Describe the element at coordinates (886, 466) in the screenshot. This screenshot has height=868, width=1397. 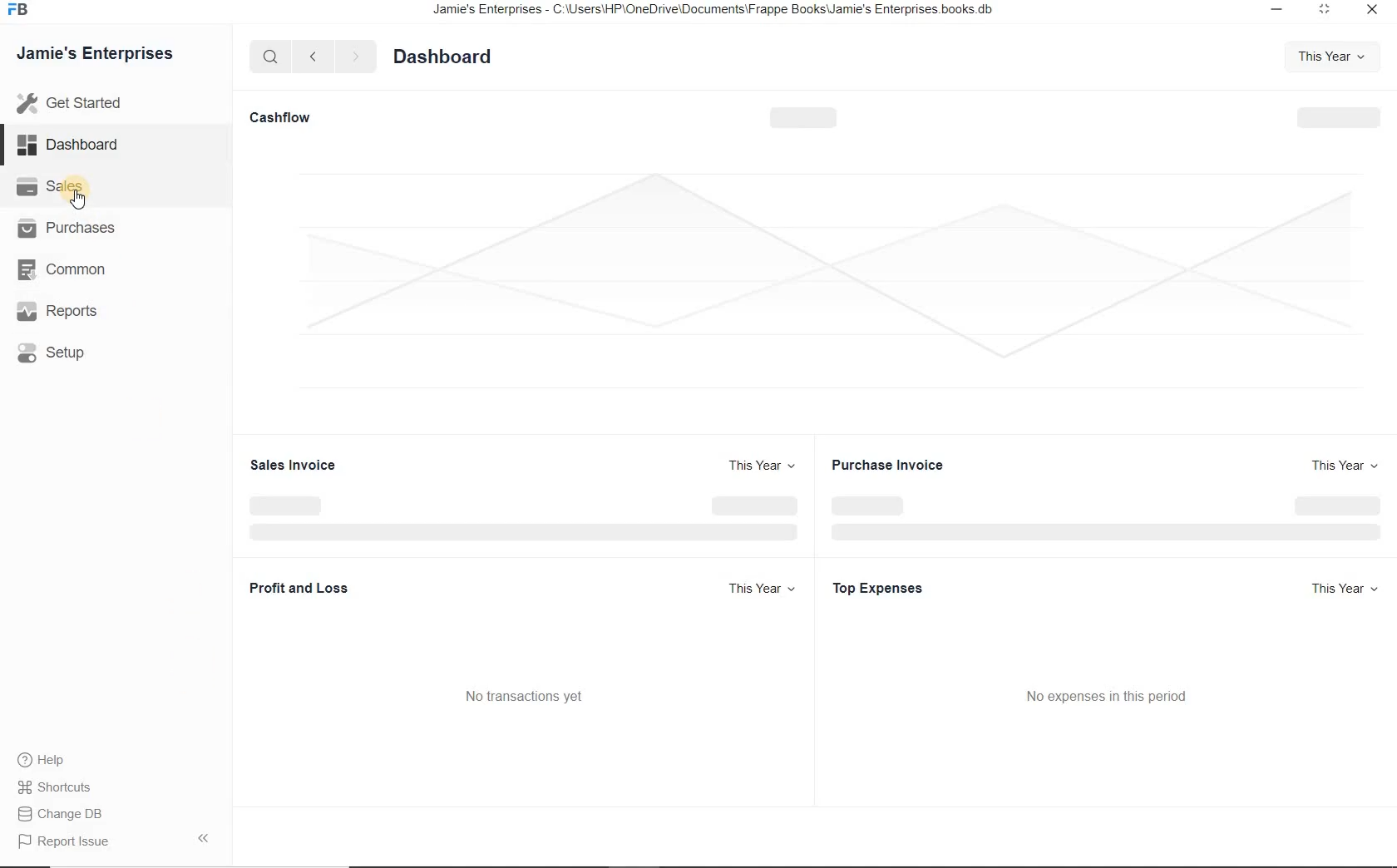
I see `Purchase Invoice` at that location.